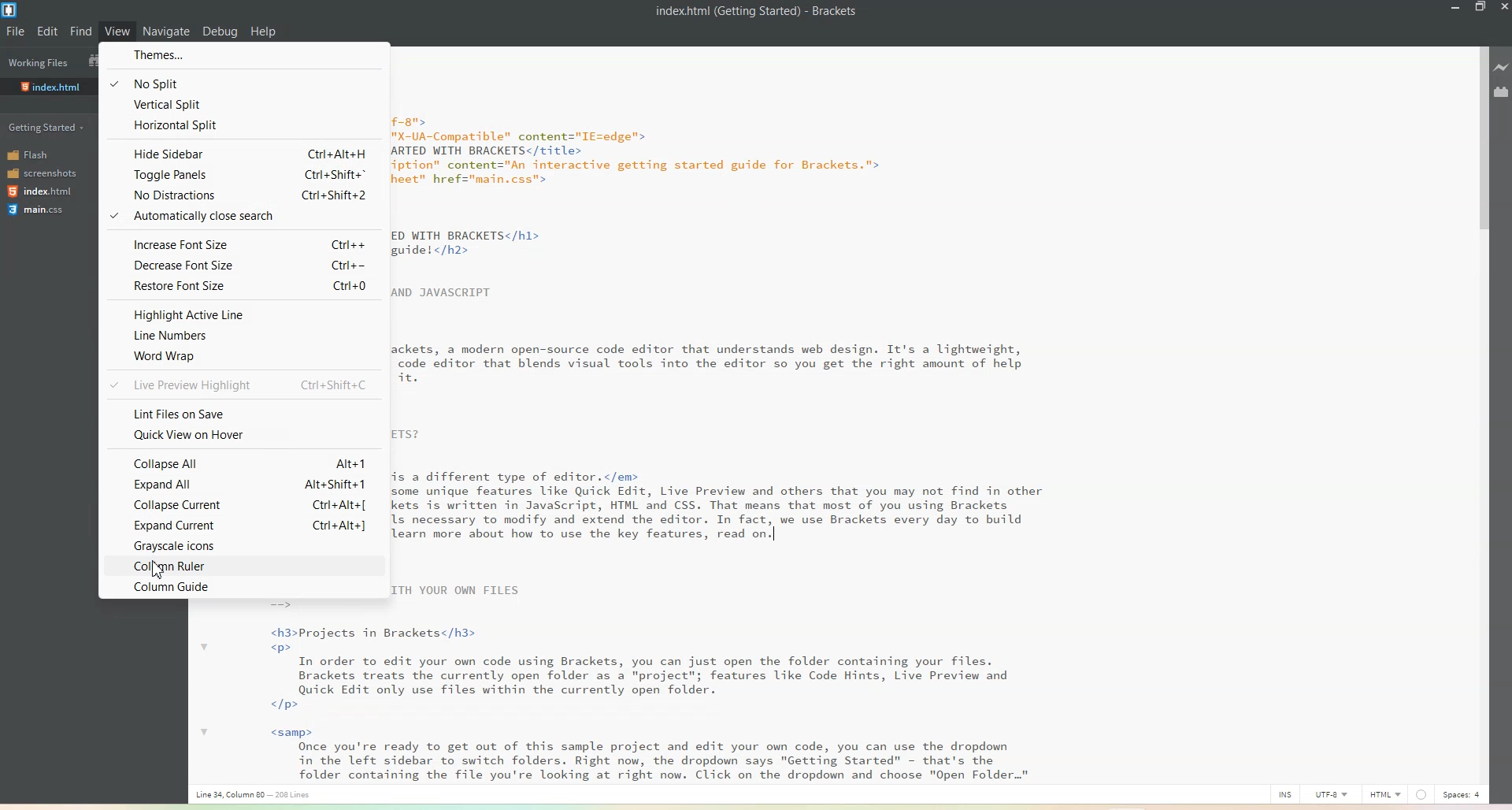 The image size is (1512, 810). What do you see at coordinates (242, 80) in the screenshot?
I see `No split` at bounding box center [242, 80].